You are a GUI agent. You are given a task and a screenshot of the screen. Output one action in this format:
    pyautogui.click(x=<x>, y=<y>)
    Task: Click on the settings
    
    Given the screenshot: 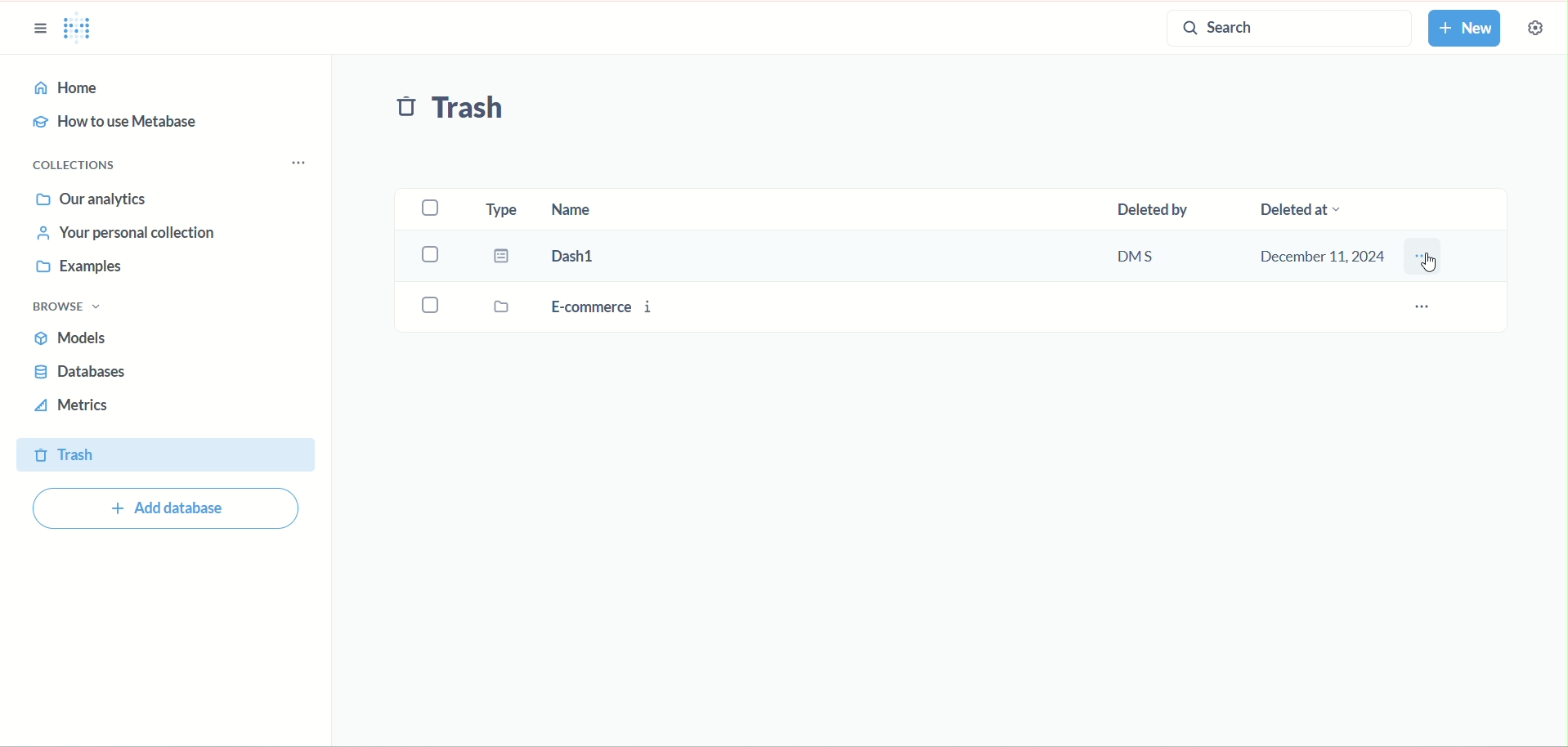 What is the action you would take?
    pyautogui.click(x=1534, y=27)
    